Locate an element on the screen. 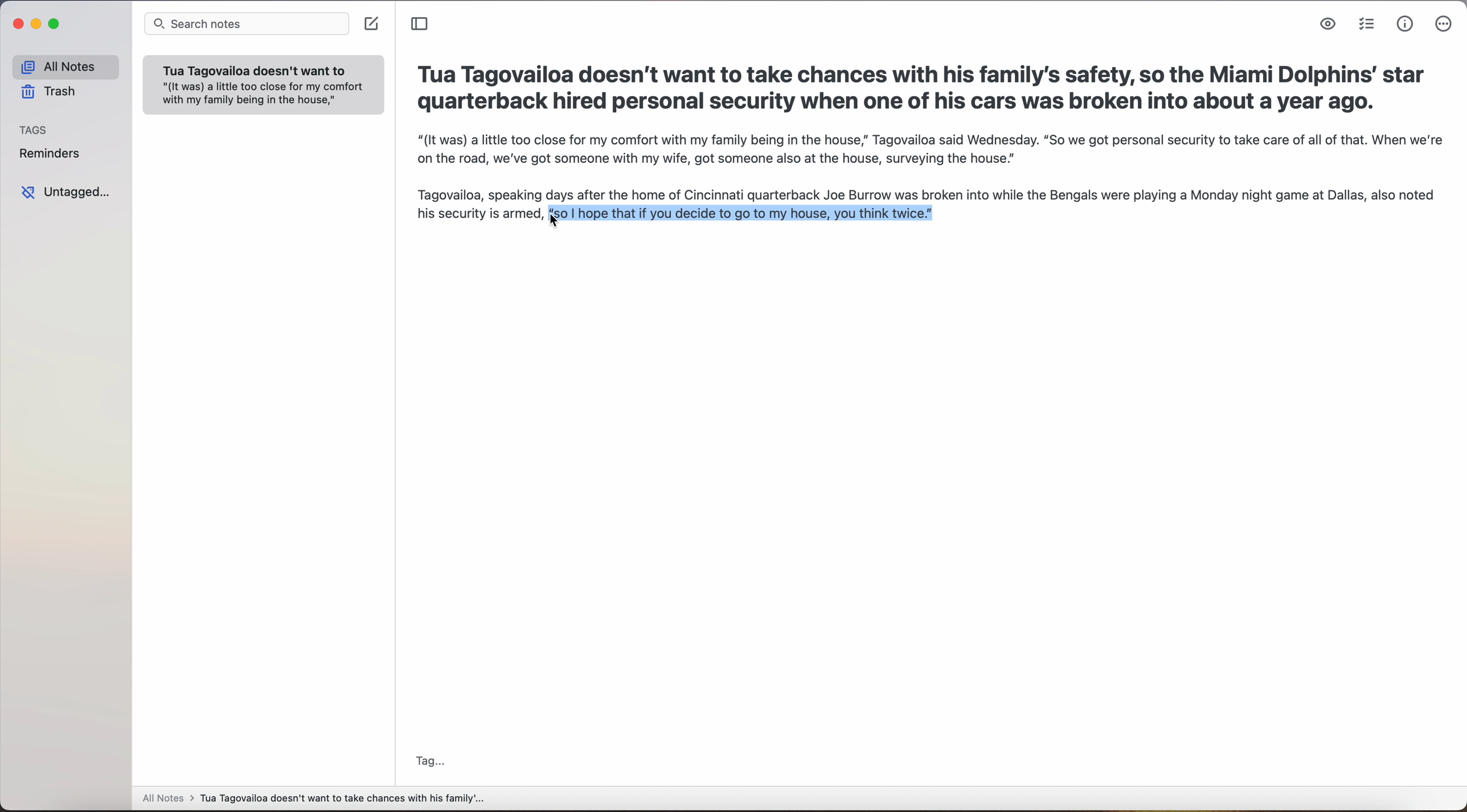 This screenshot has width=1467, height=812. check list is located at coordinates (1367, 26).